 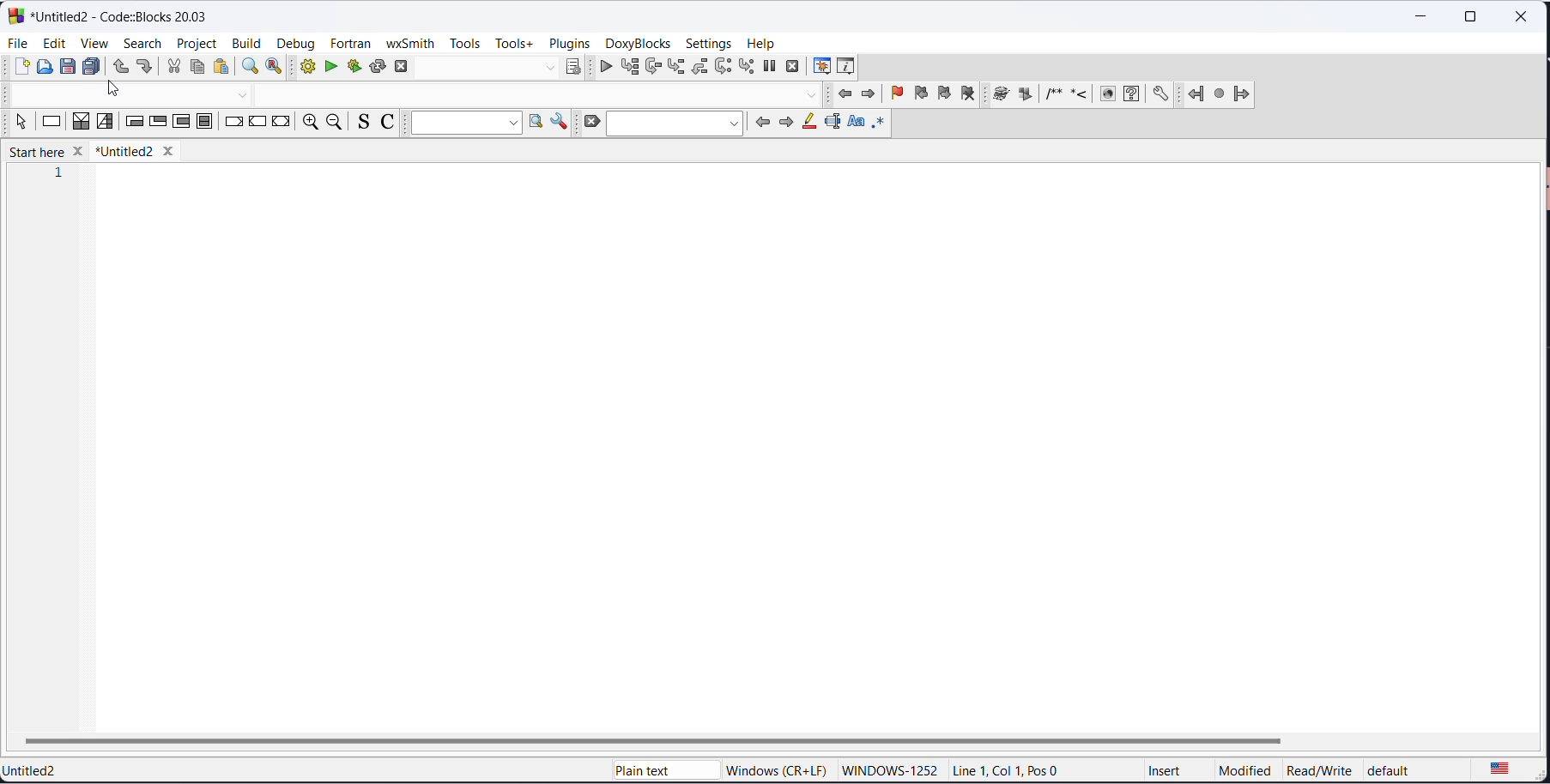 What do you see at coordinates (675, 124) in the screenshot?
I see `text and dropdown` at bounding box center [675, 124].